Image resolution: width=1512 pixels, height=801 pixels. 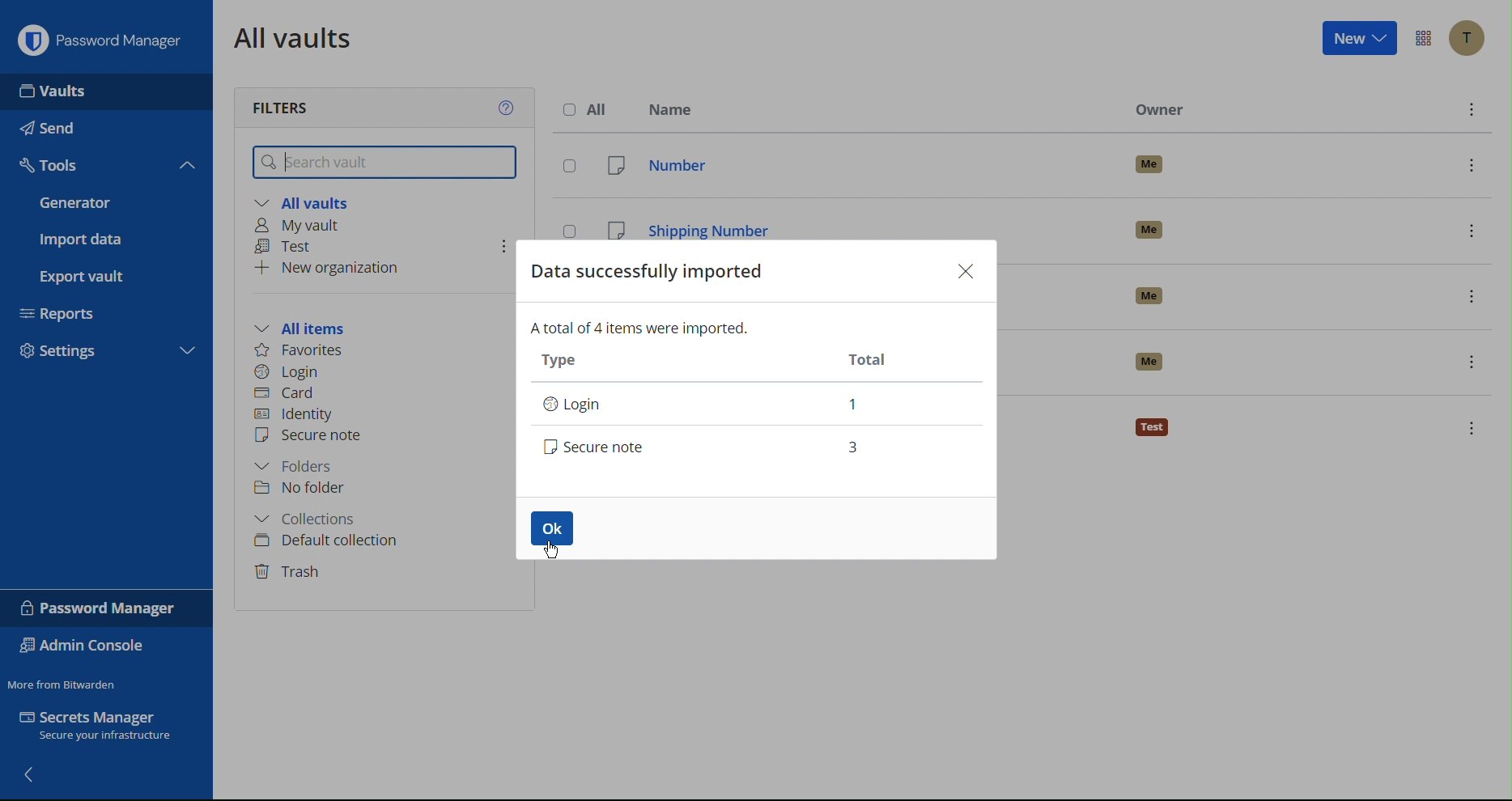 I want to click on Type , so click(x=559, y=362).